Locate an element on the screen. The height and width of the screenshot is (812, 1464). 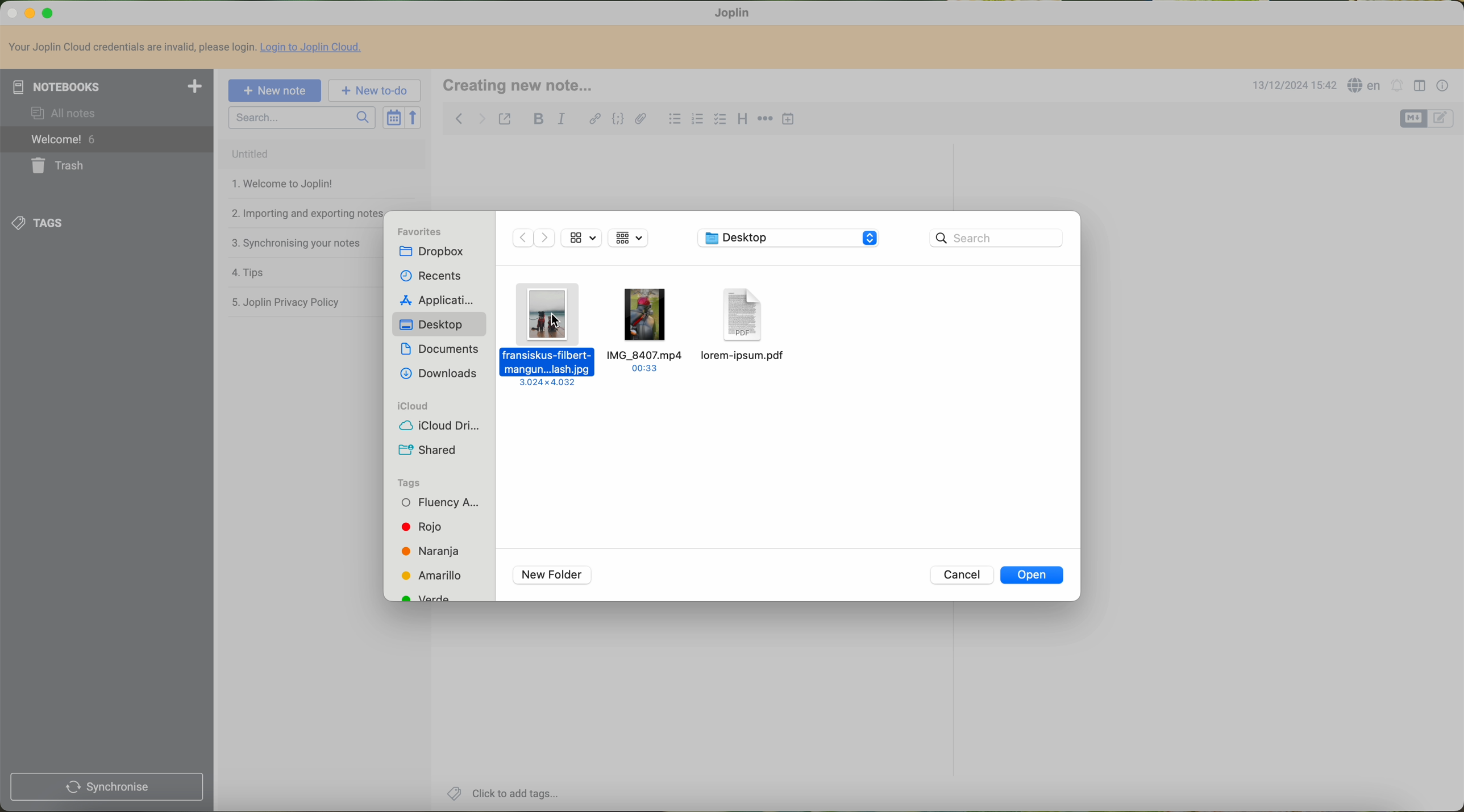
numbered list is located at coordinates (698, 120).